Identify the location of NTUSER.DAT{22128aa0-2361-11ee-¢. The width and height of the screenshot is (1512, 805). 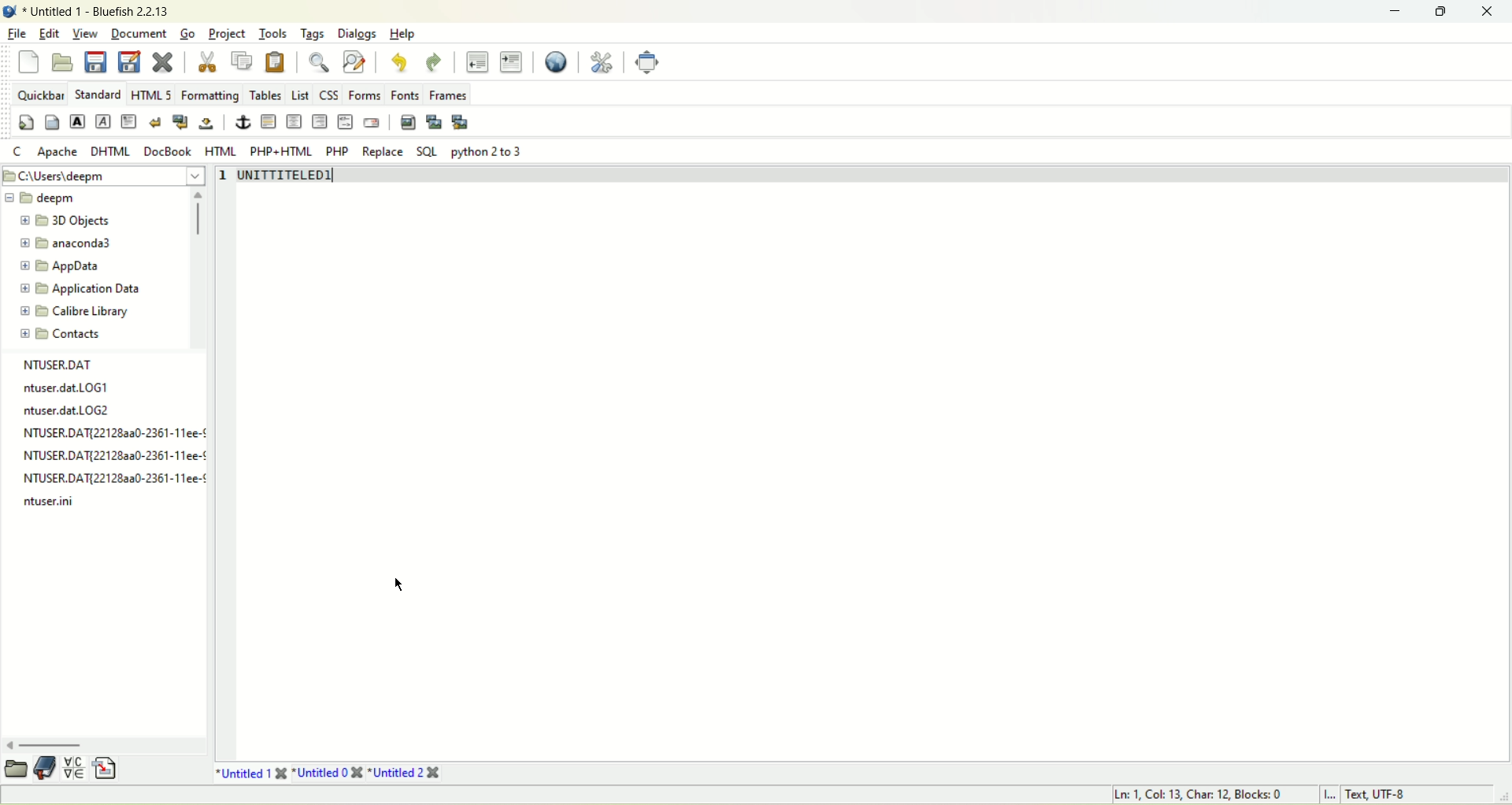
(113, 456).